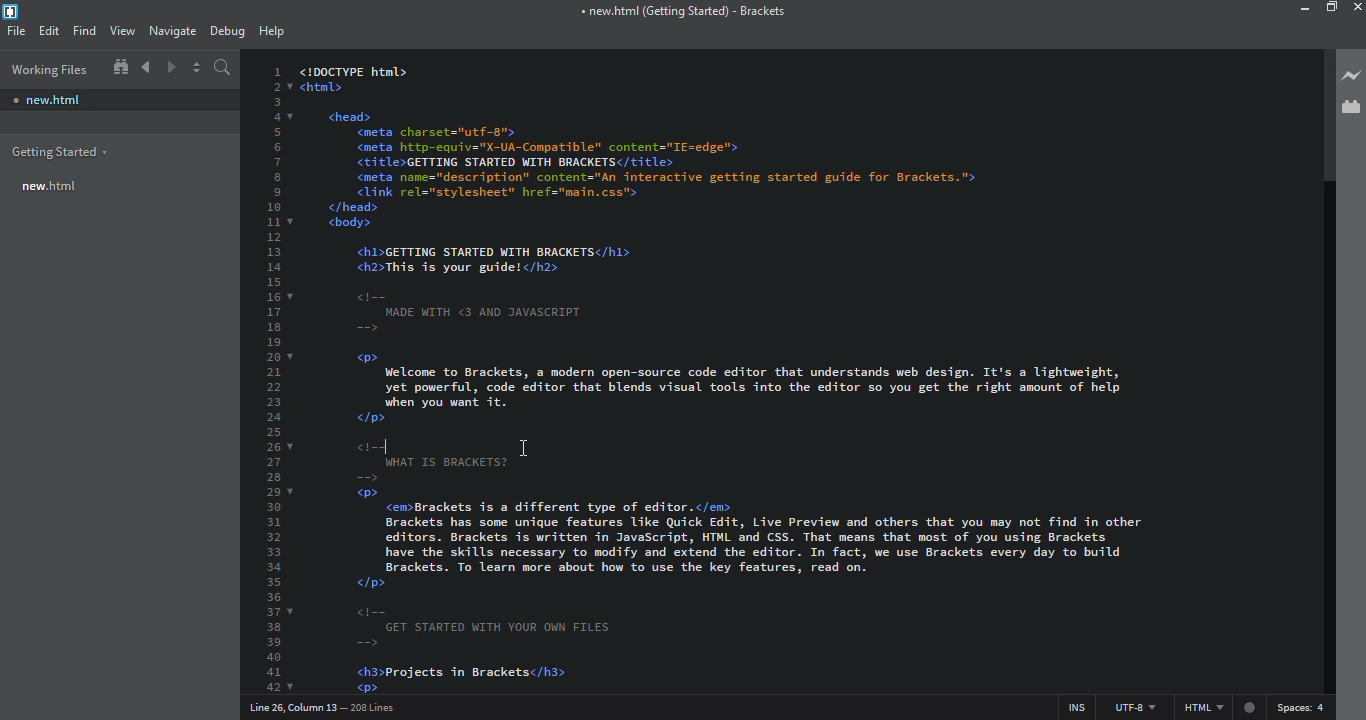 Image resolution: width=1366 pixels, height=720 pixels. I want to click on cursor, so click(515, 447).